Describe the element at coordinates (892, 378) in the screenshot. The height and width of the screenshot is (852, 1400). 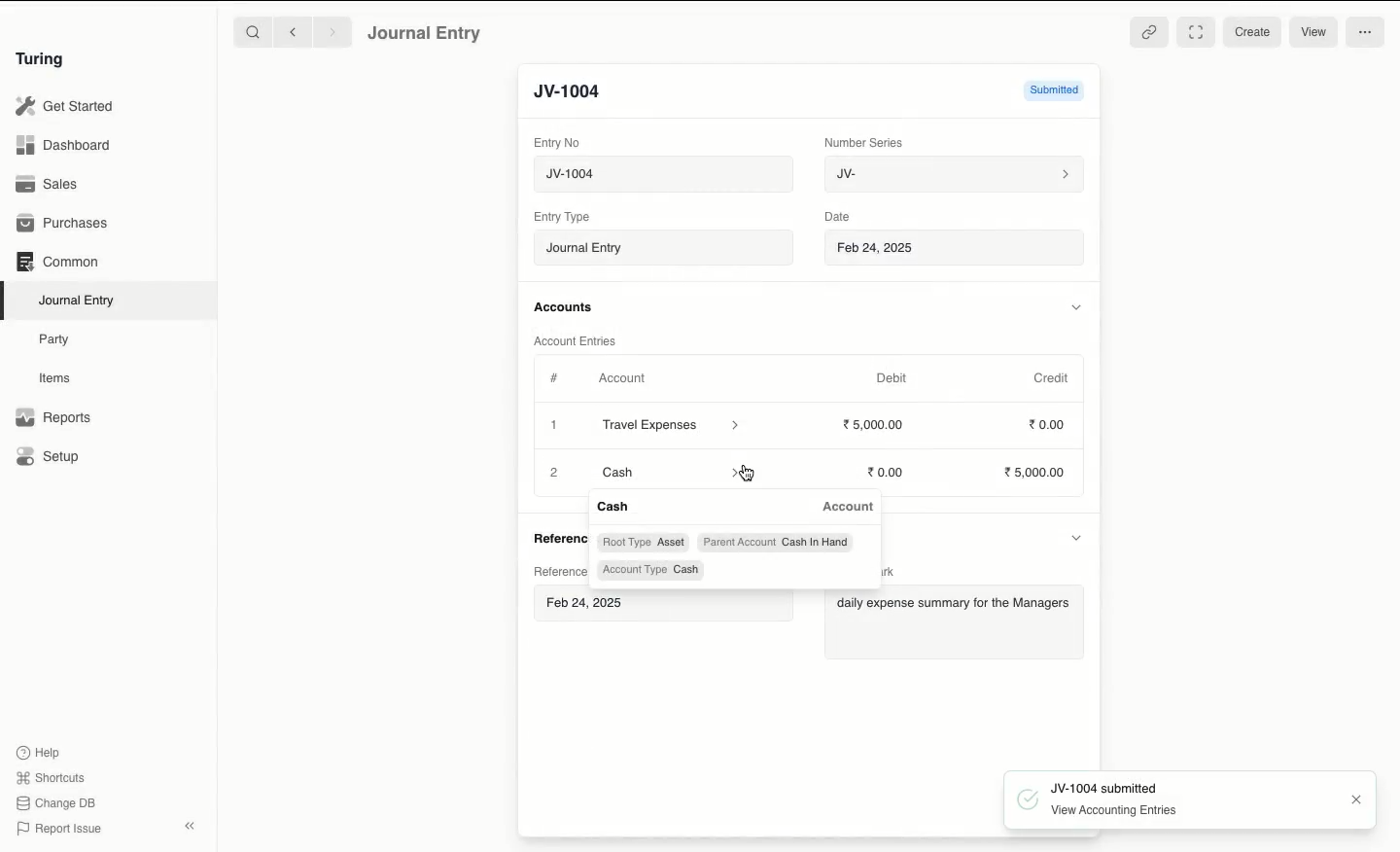
I see `Debit` at that location.